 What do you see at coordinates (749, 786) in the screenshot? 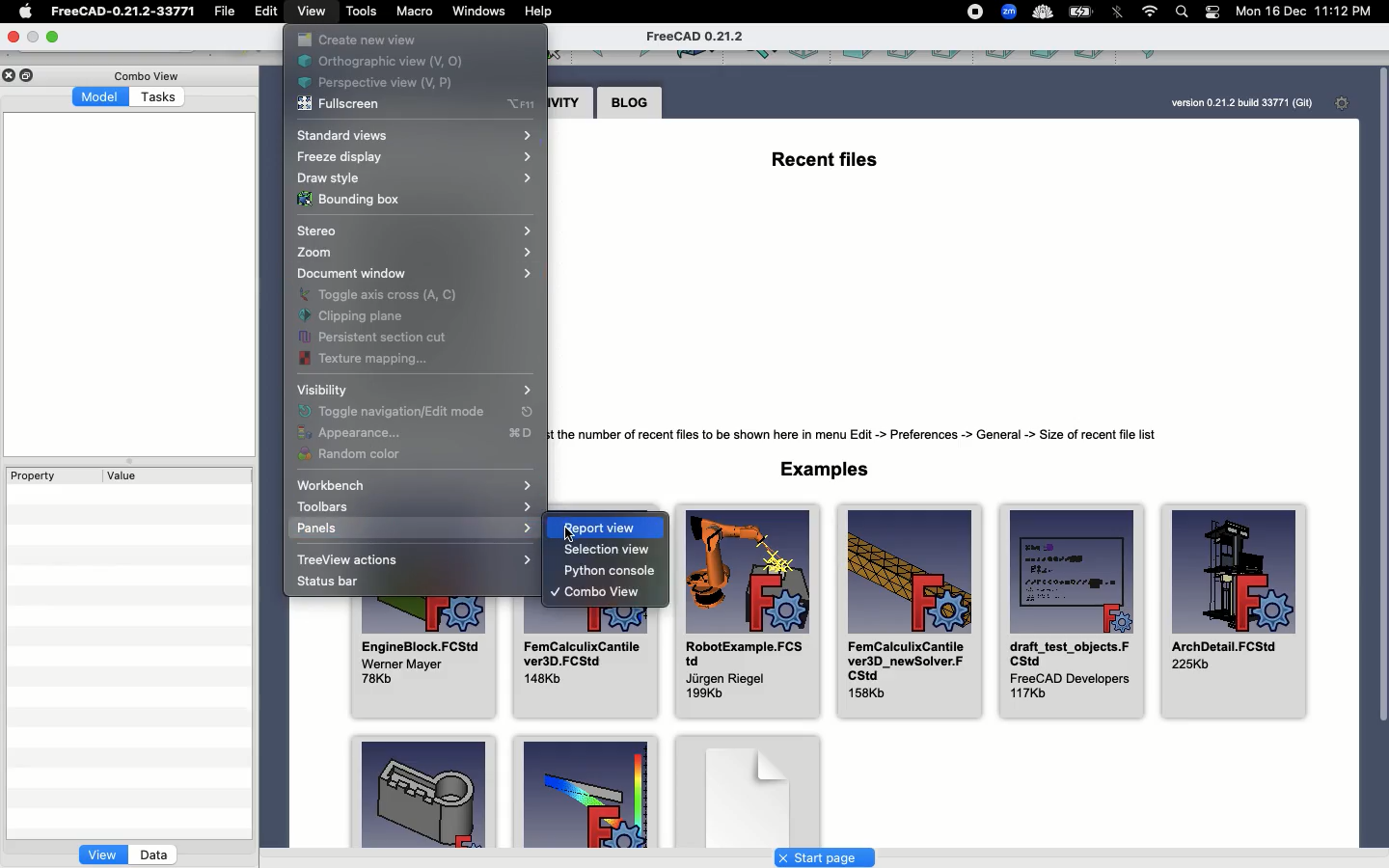
I see `Examples` at bounding box center [749, 786].